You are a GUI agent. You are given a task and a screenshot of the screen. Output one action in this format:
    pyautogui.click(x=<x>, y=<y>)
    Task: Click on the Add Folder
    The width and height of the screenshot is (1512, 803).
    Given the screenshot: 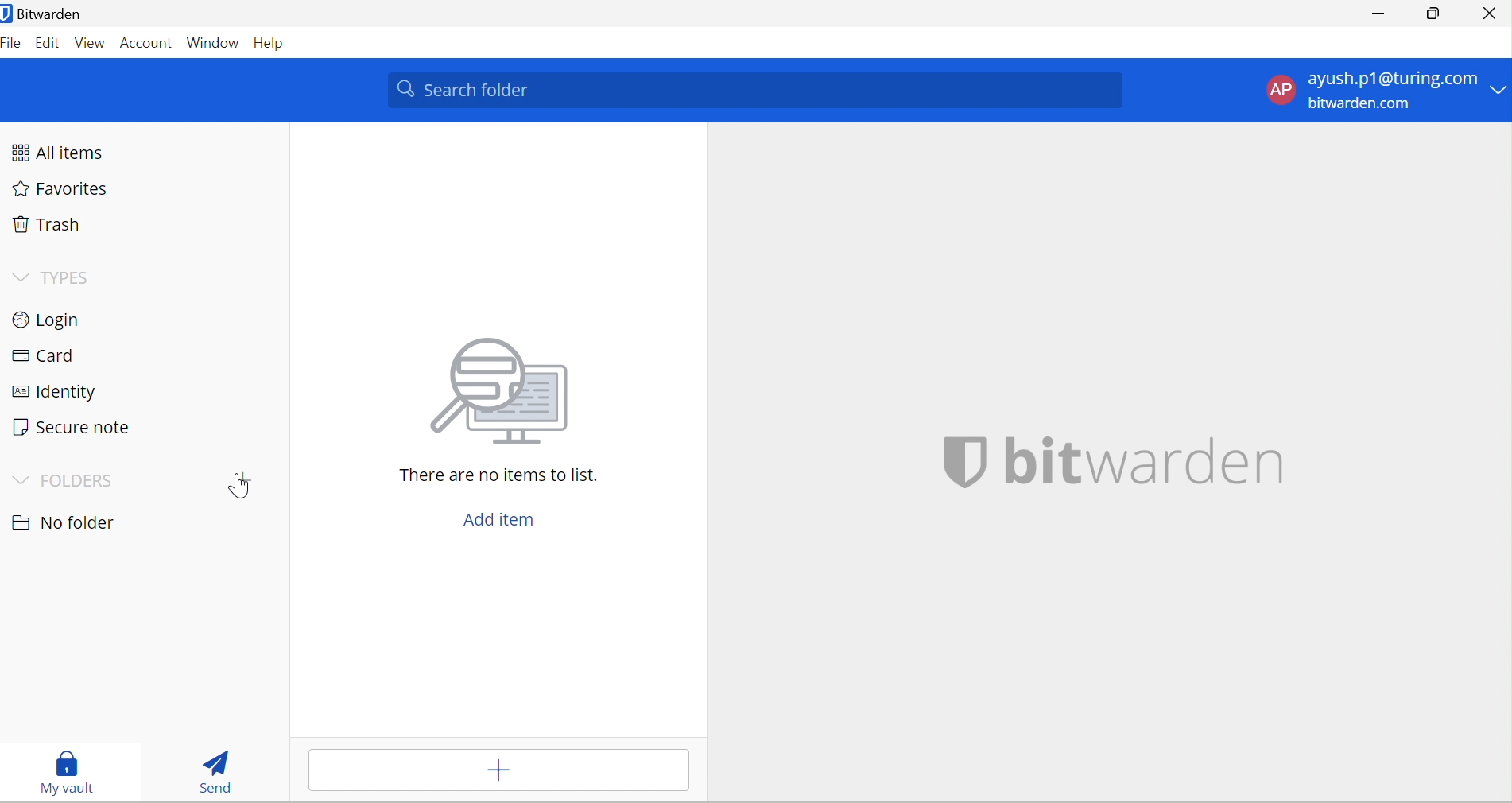 What is the action you would take?
    pyautogui.click(x=242, y=489)
    